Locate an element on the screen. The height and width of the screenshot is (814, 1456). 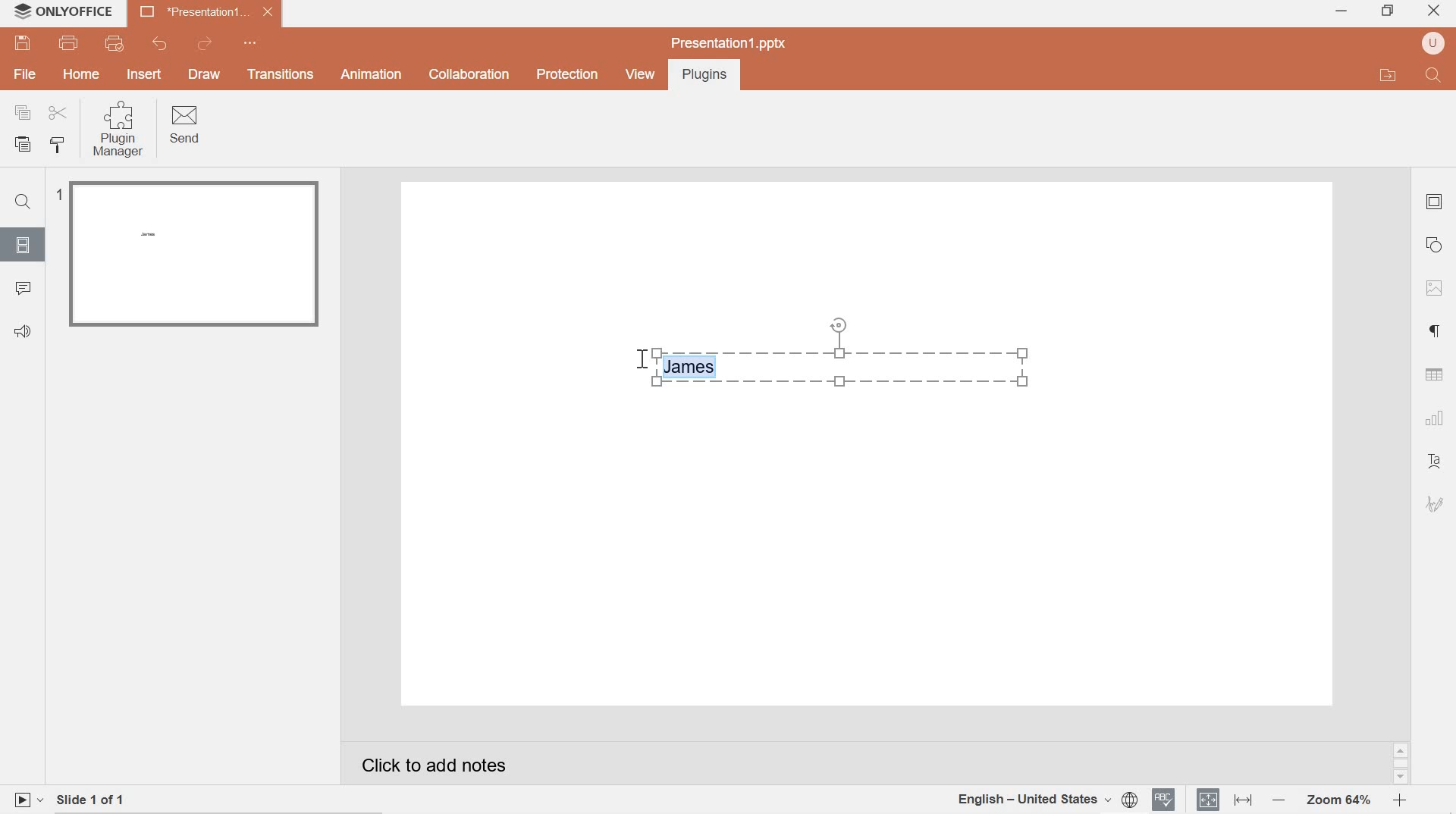
slide settings is located at coordinates (1434, 202).